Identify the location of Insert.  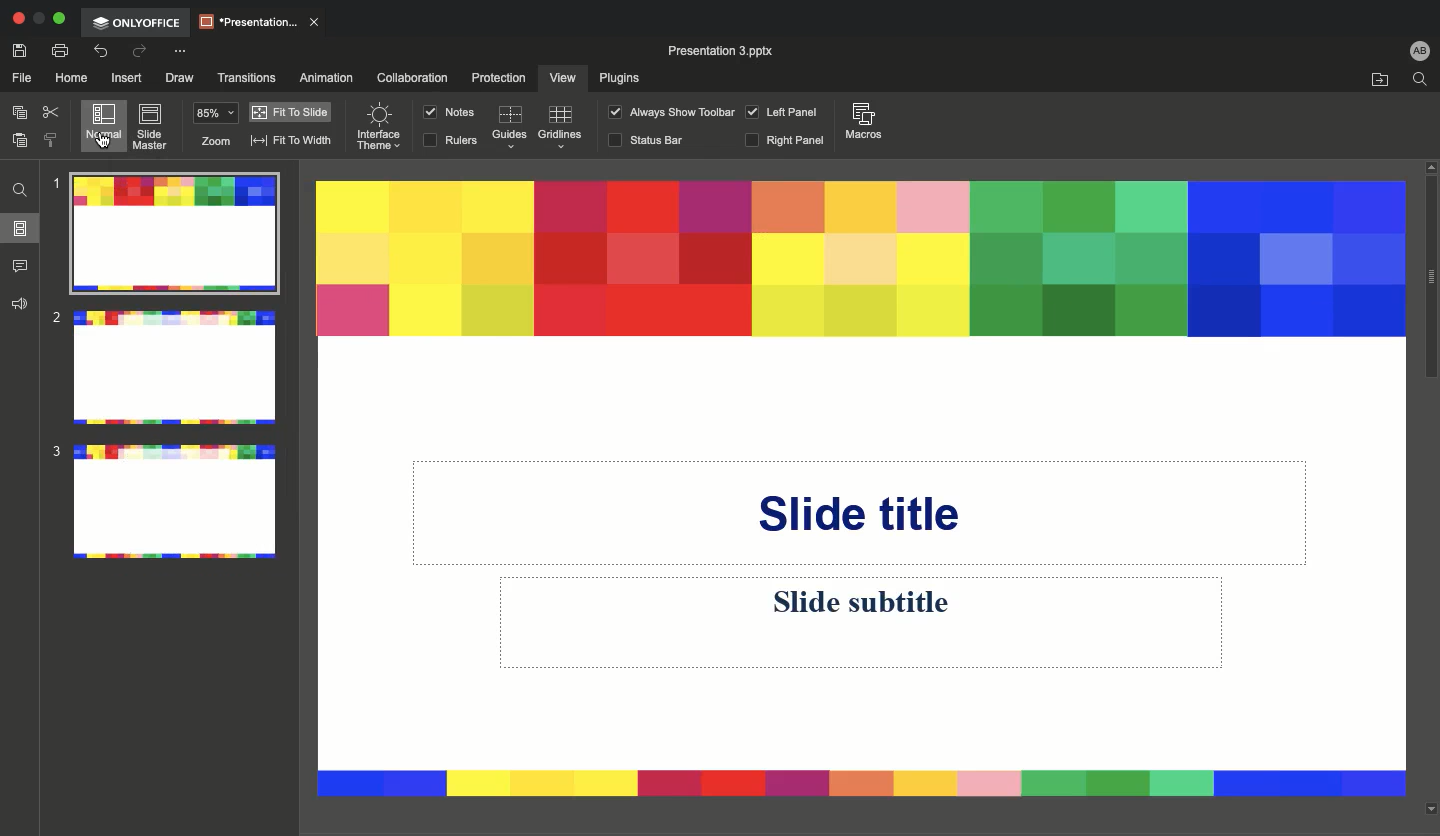
(126, 76).